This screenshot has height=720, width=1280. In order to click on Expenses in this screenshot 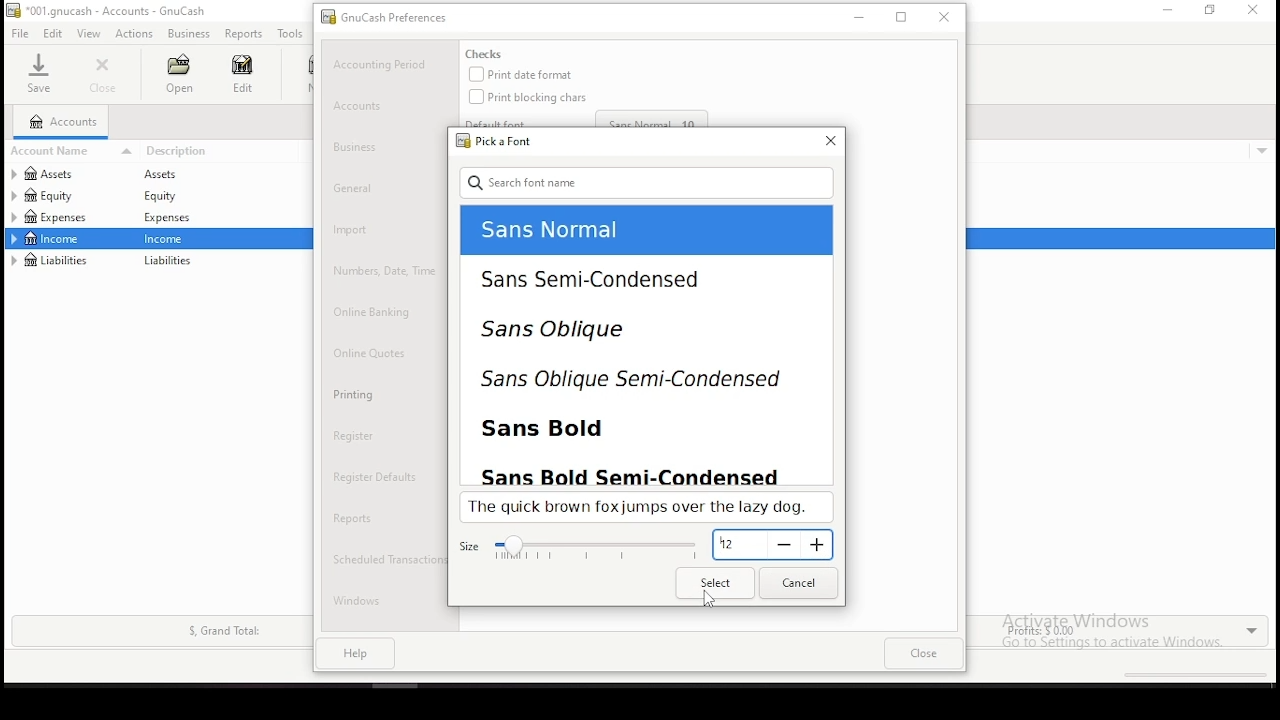, I will do `click(165, 219)`.